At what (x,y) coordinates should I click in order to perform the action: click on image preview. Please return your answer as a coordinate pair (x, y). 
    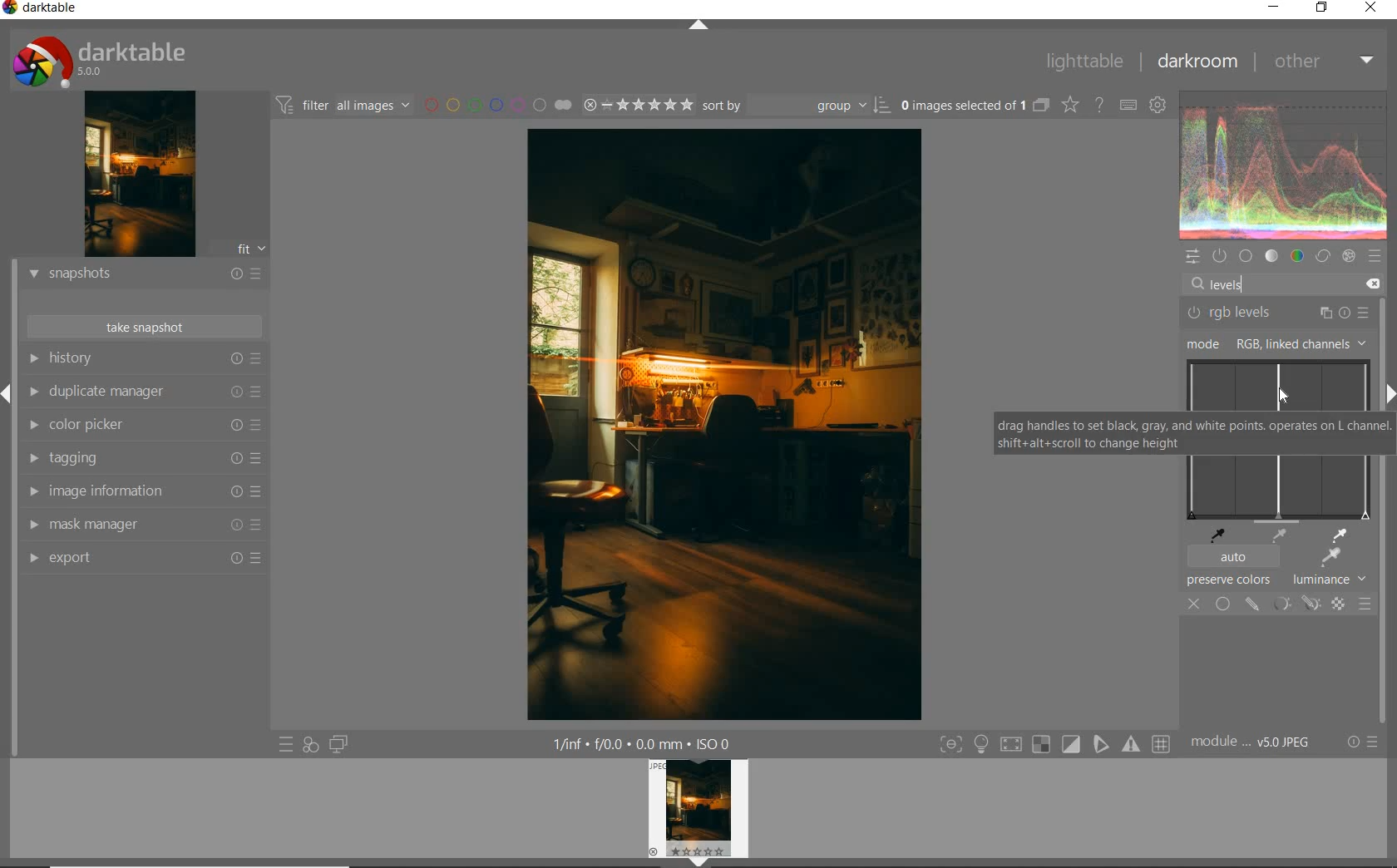
    Looking at the image, I should click on (136, 177).